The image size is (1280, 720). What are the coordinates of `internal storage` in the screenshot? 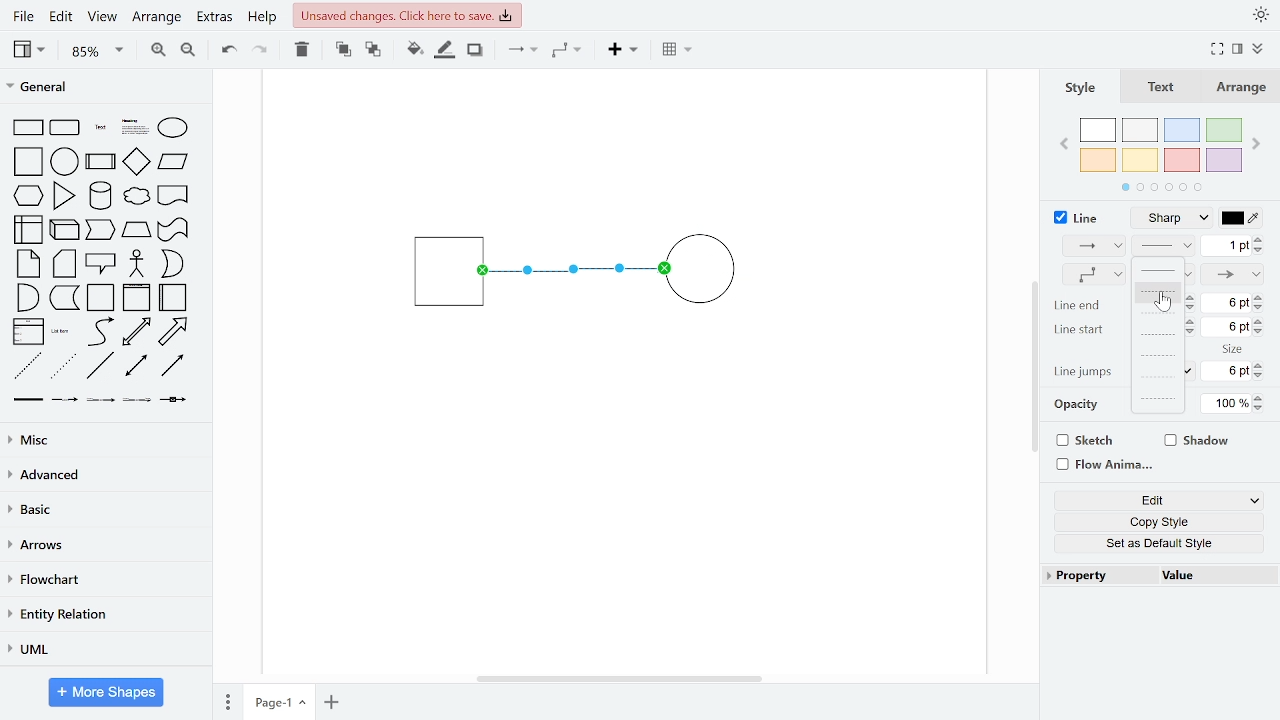 It's located at (30, 231).